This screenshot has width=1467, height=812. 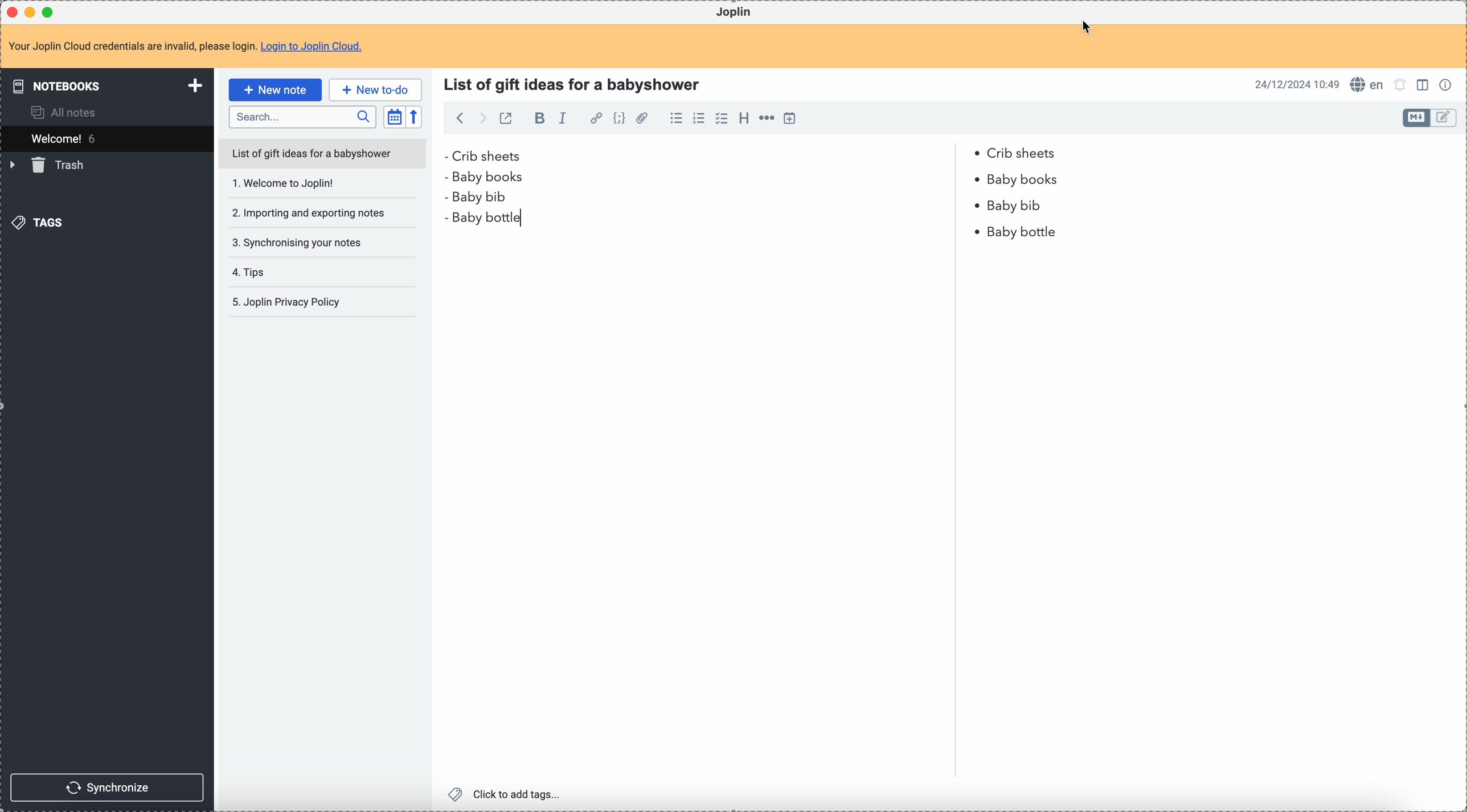 I want to click on notebooks, so click(x=103, y=87).